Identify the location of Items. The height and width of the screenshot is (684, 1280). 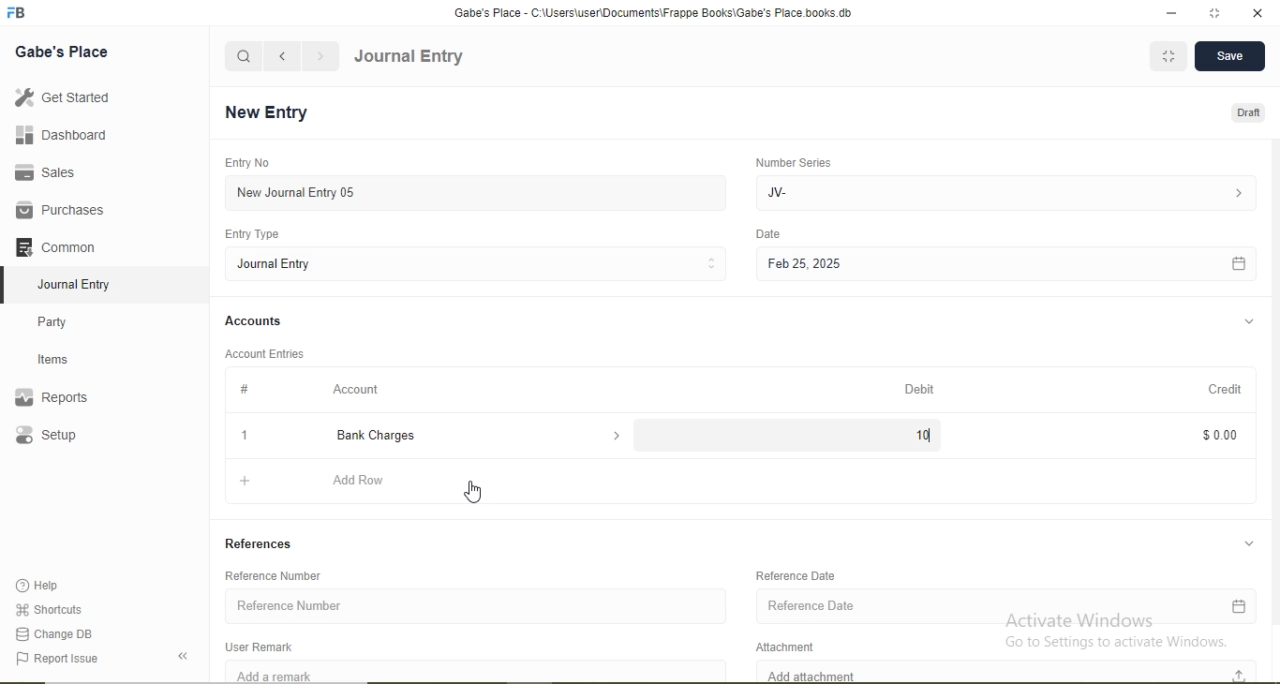
(65, 359).